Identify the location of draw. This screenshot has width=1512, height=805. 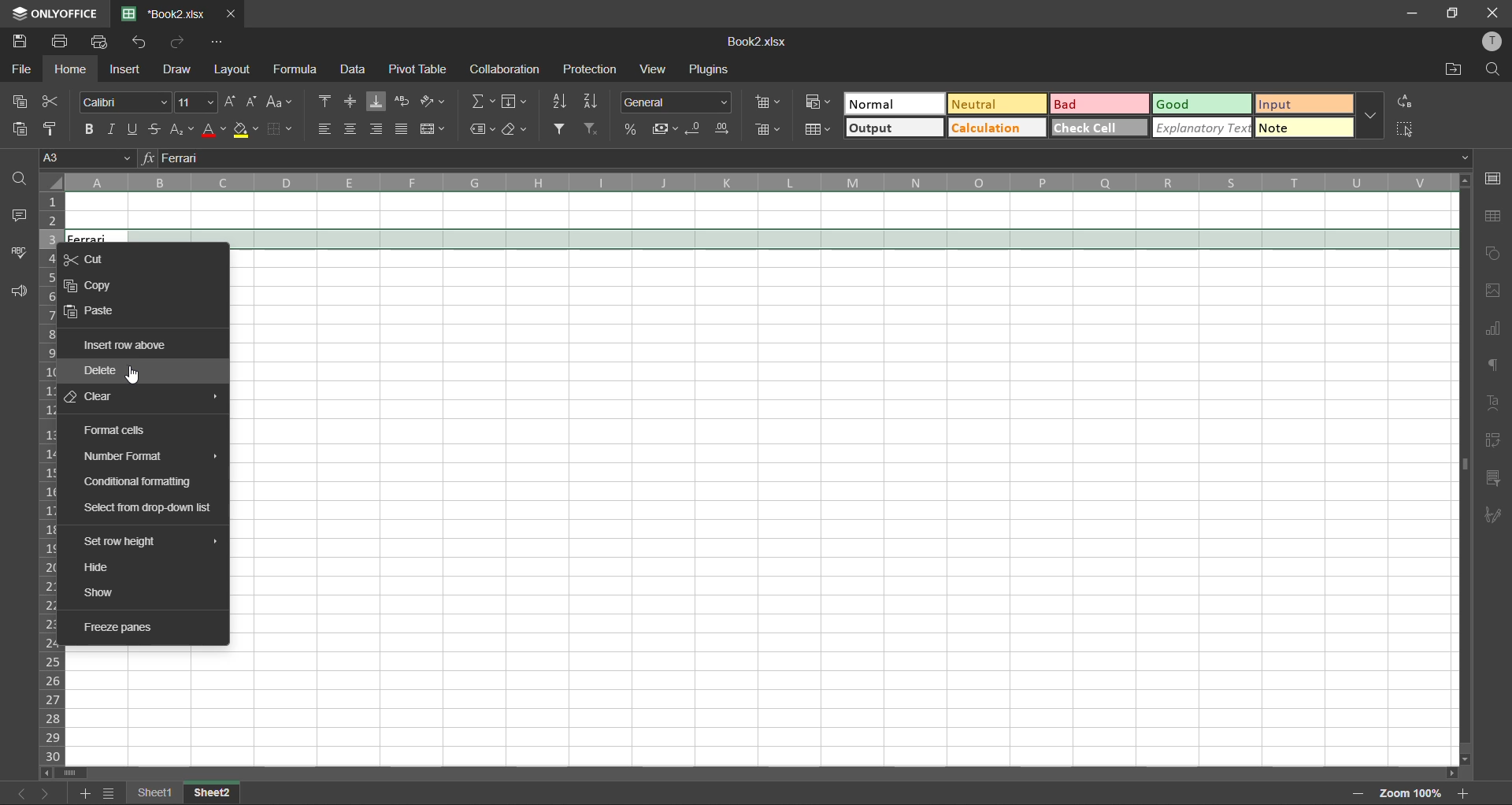
(178, 68).